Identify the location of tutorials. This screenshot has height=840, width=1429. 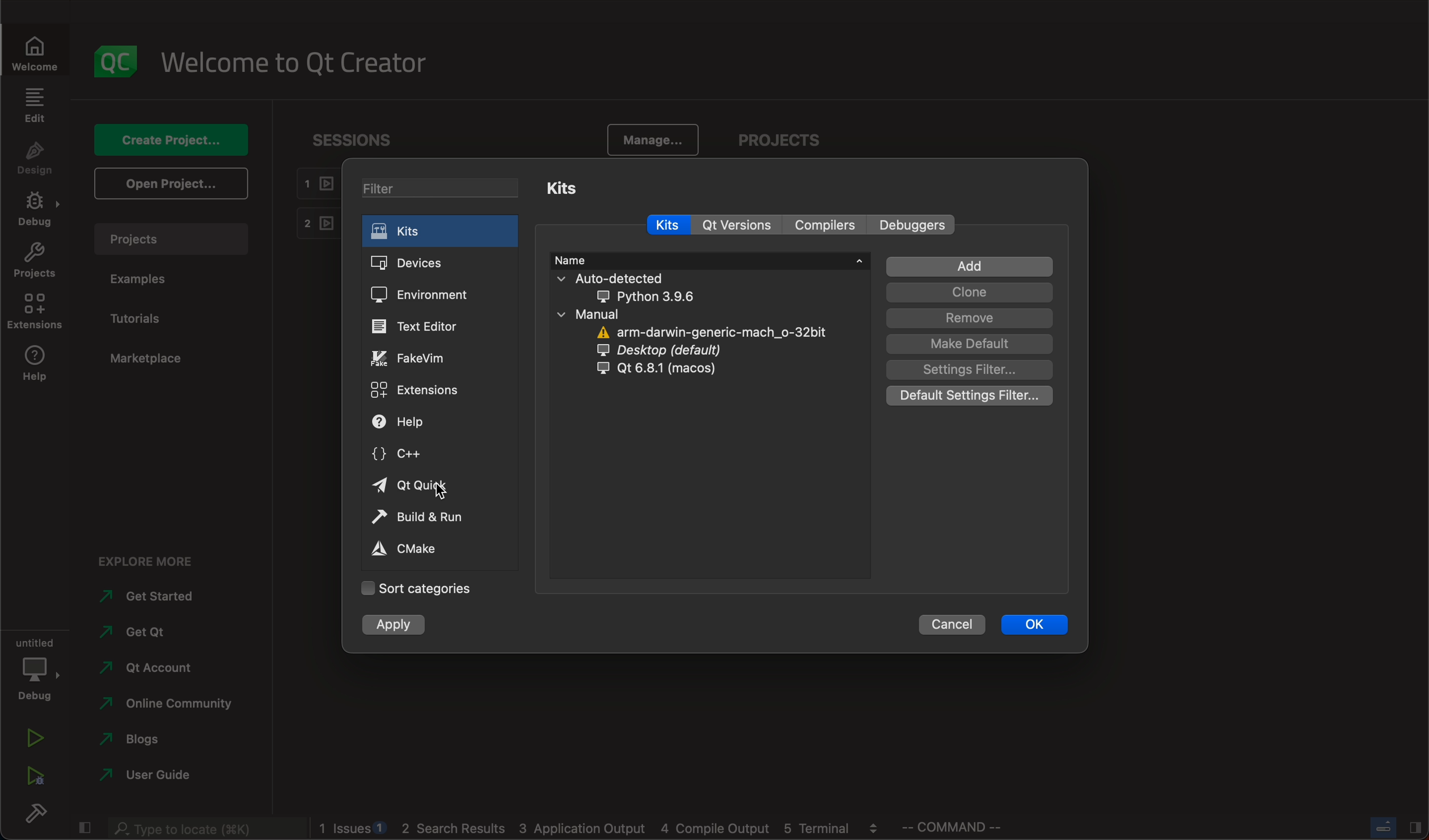
(141, 316).